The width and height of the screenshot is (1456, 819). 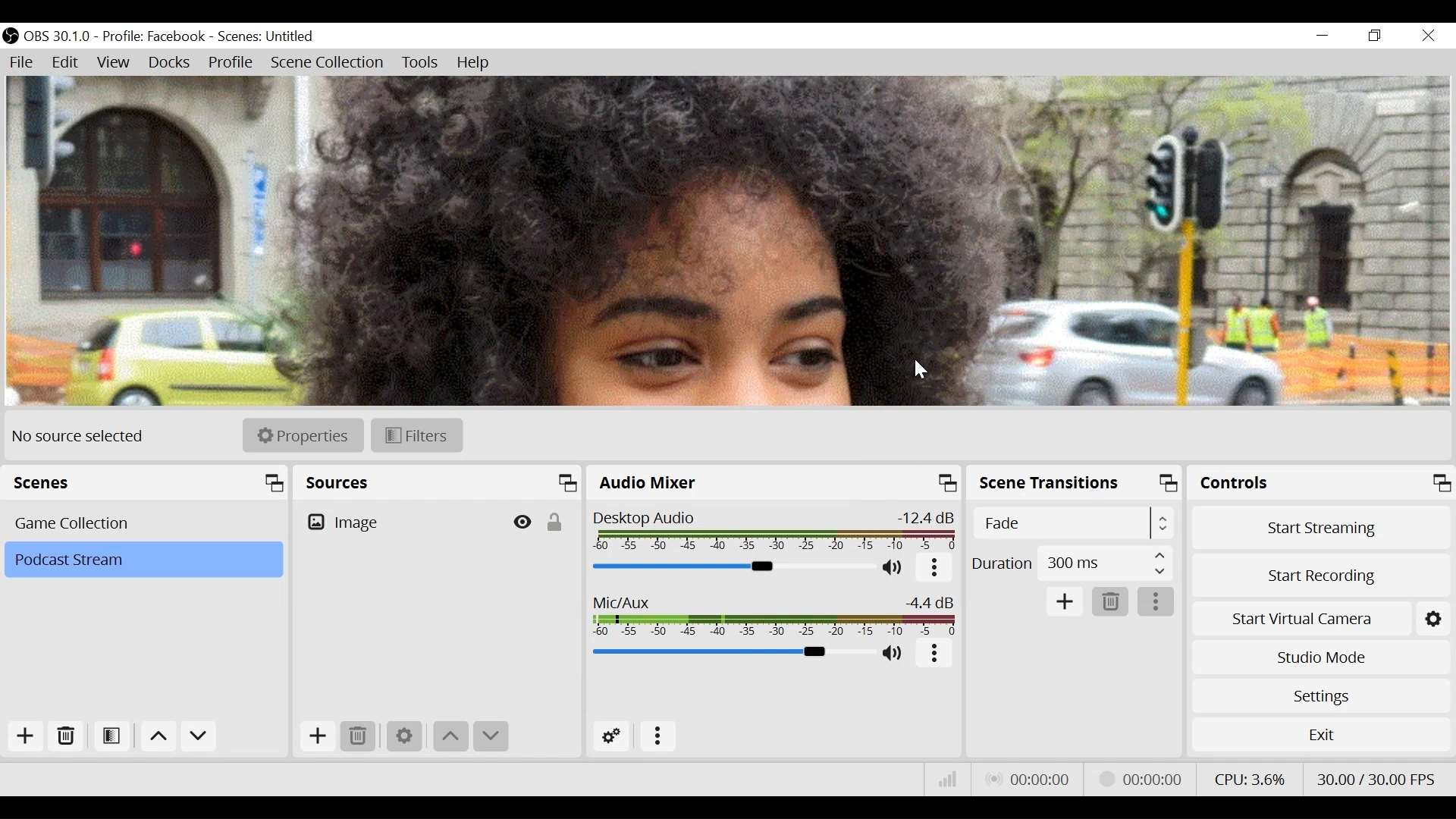 What do you see at coordinates (1323, 617) in the screenshot?
I see `Start Virtual Camera` at bounding box center [1323, 617].